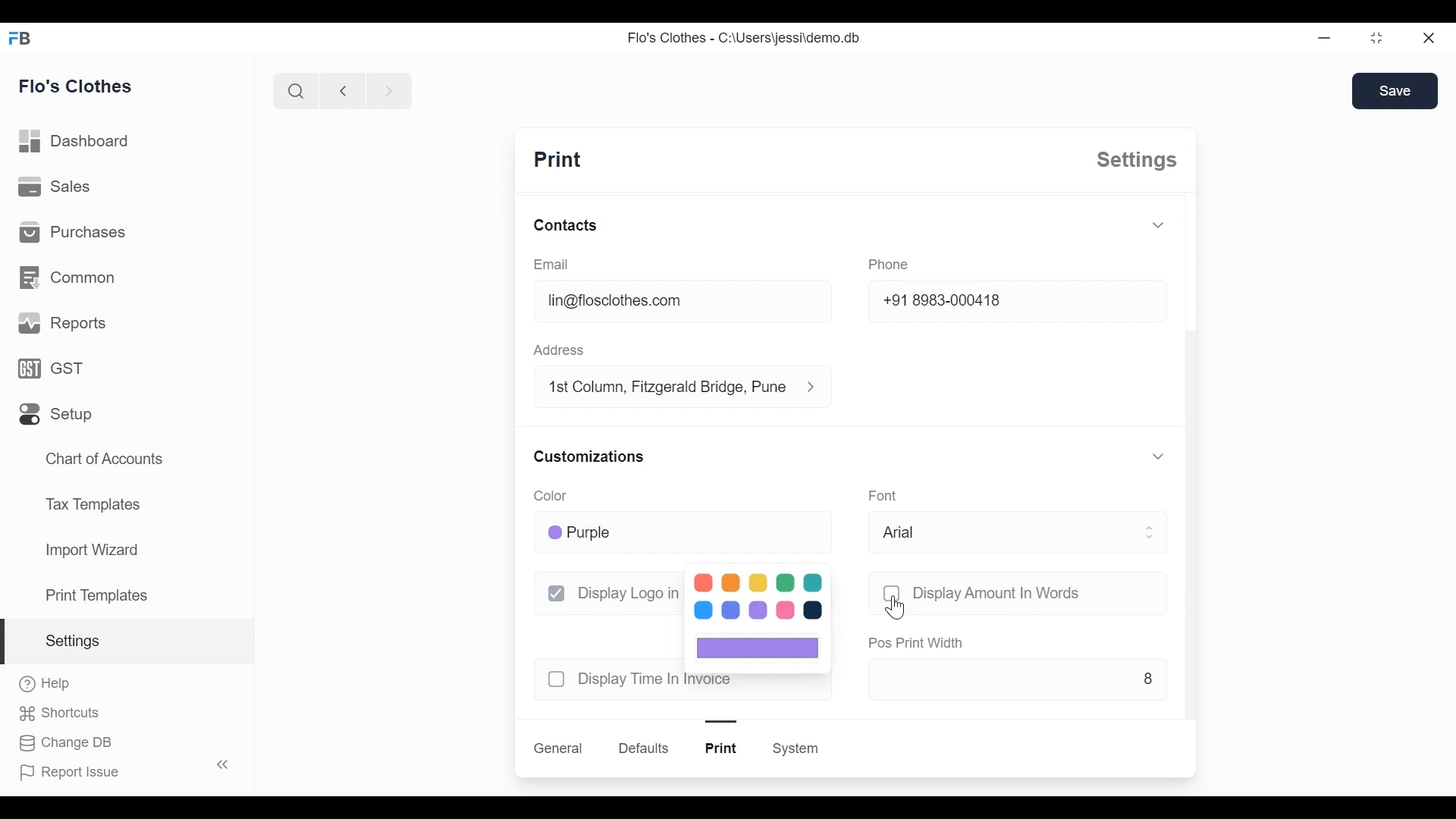 The width and height of the screenshot is (1456, 819). I want to click on flo's clothes, so click(76, 86).